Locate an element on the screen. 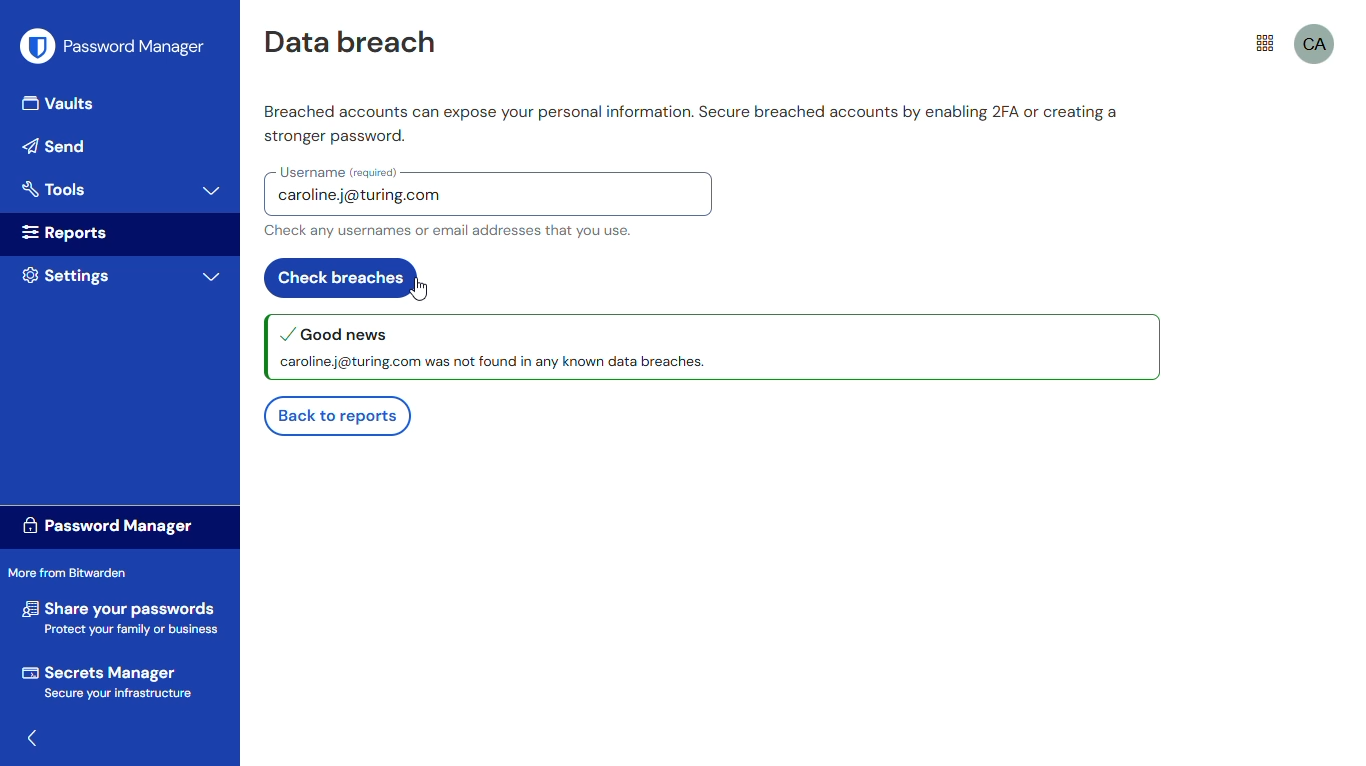 The height and width of the screenshot is (766, 1366). secrets manager secure your infrastucture is located at coordinates (110, 681).